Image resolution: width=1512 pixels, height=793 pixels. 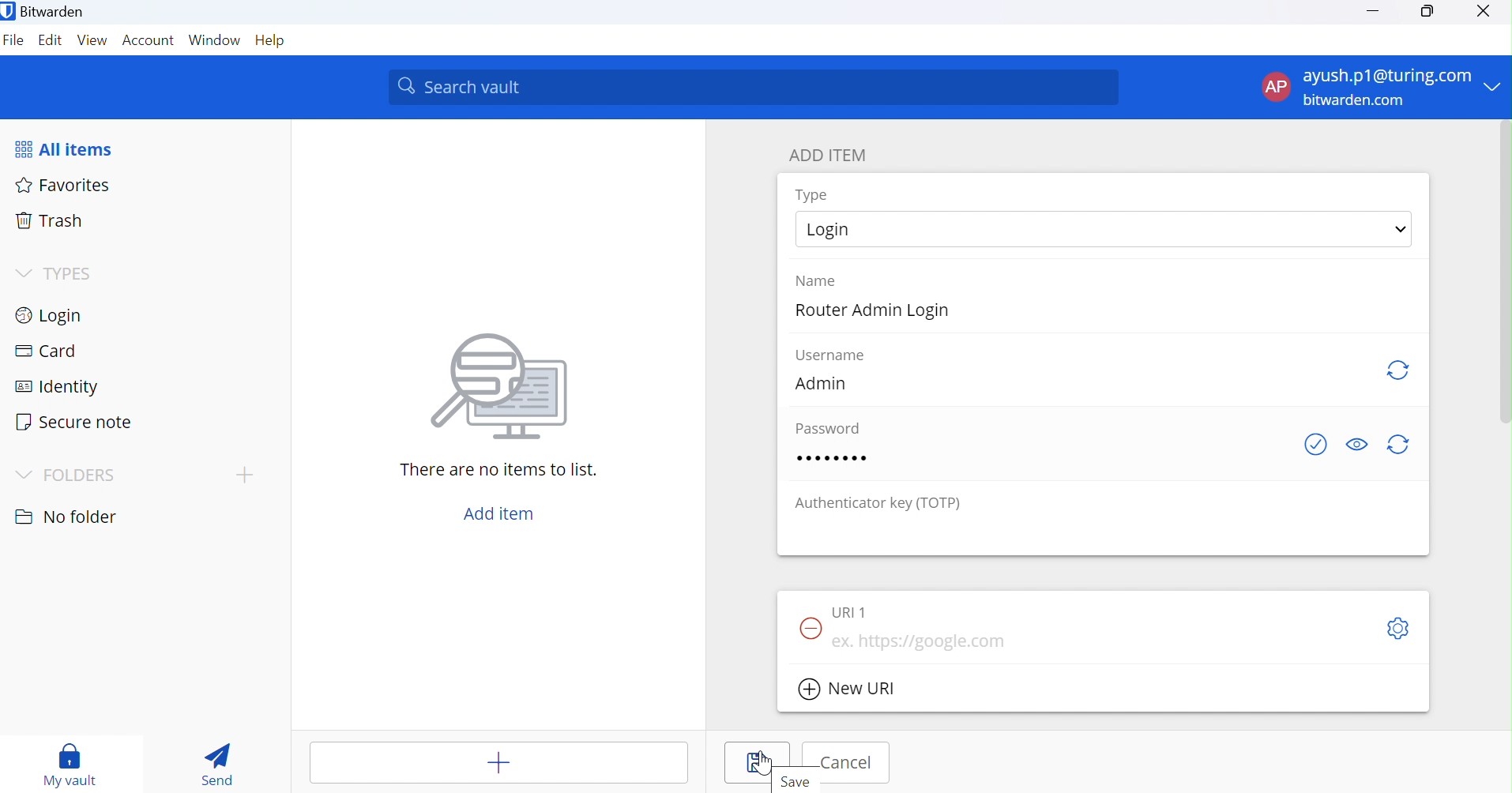 What do you see at coordinates (1427, 12) in the screenshot?
I see `Restore Down` at bounding box center [1427, 12].